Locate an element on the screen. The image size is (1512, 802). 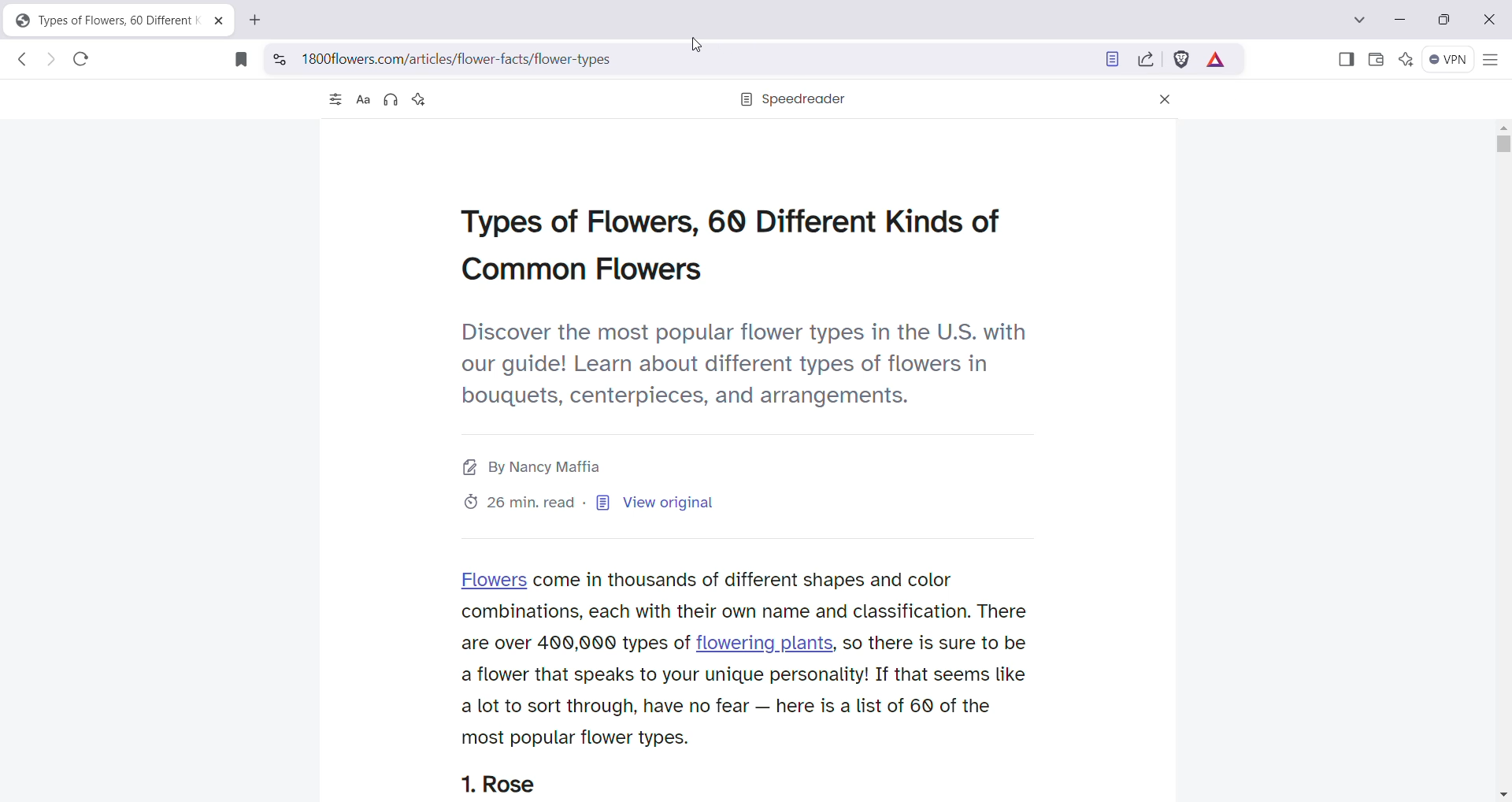
Restore Down is located at coordinates (1446, 20).